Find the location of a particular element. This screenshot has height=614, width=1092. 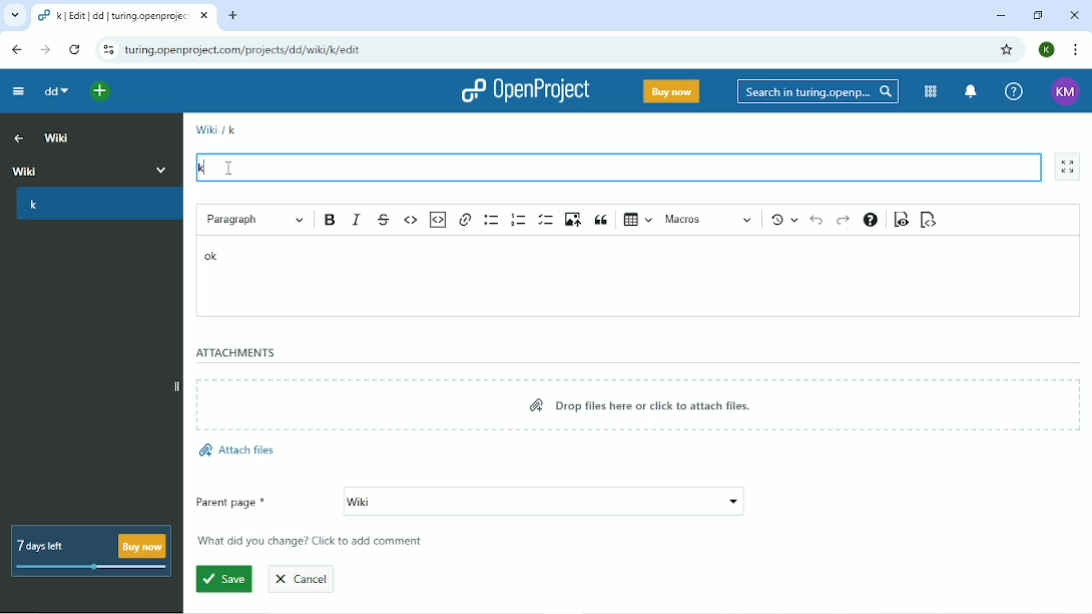

Upload image from computer is located at coordinates (572, 220).